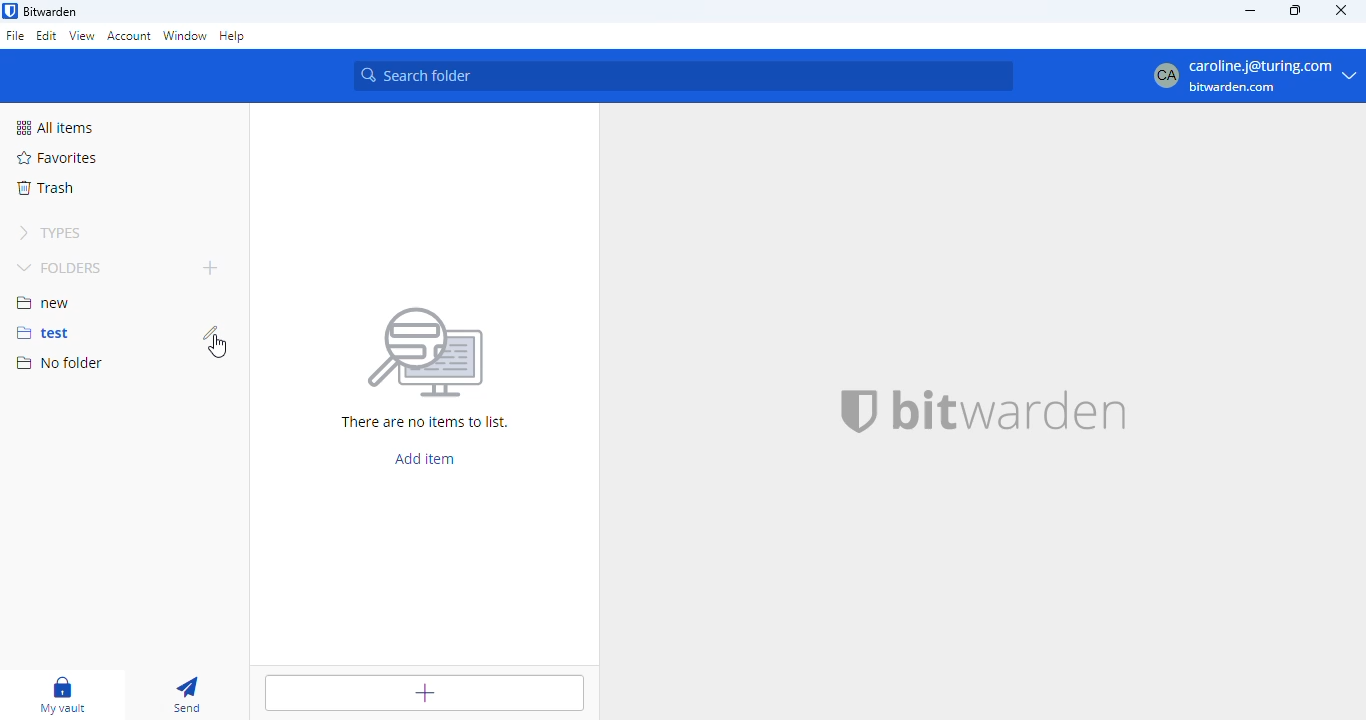 This screenshot has width=1366, height=720. Describe the element at coordinates (40, 333) in the screenshot. I see `test` at that location.